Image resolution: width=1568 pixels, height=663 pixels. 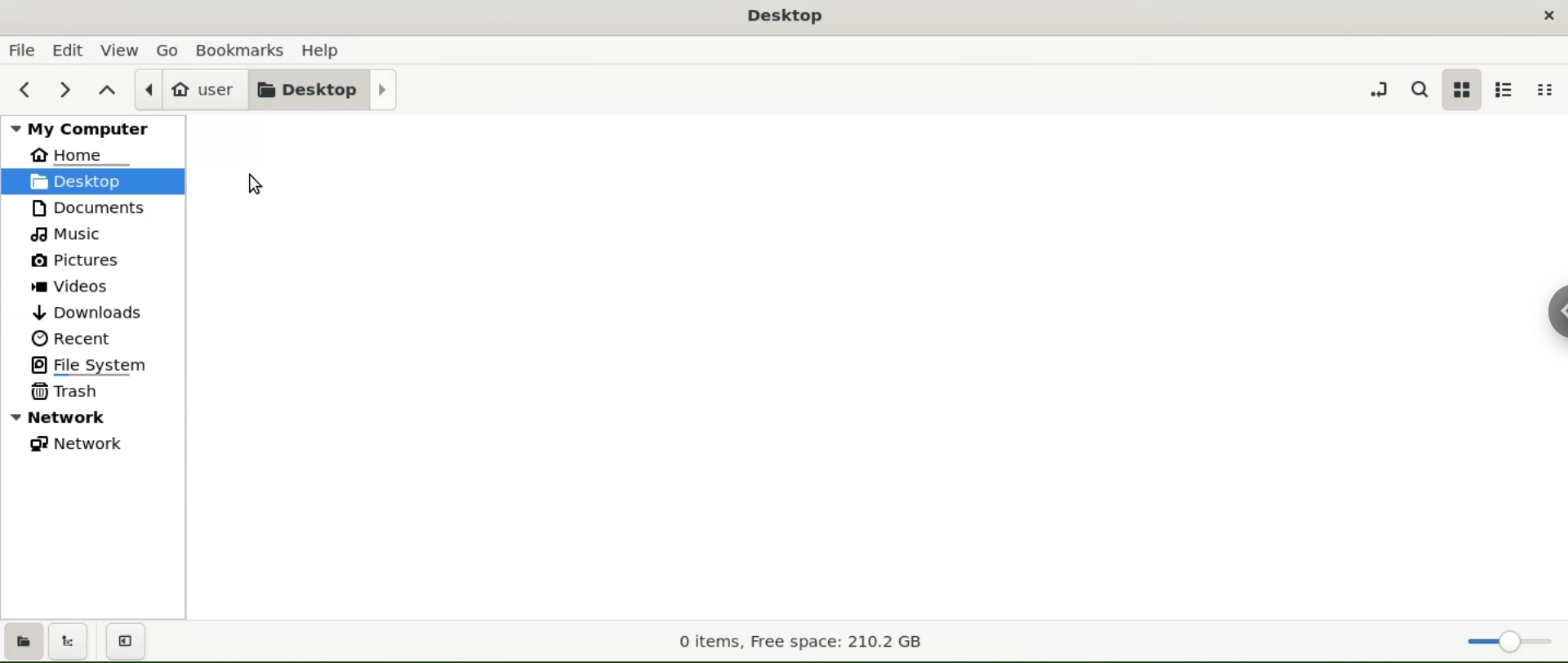 I want to click on home, so click(x=95, y=155).